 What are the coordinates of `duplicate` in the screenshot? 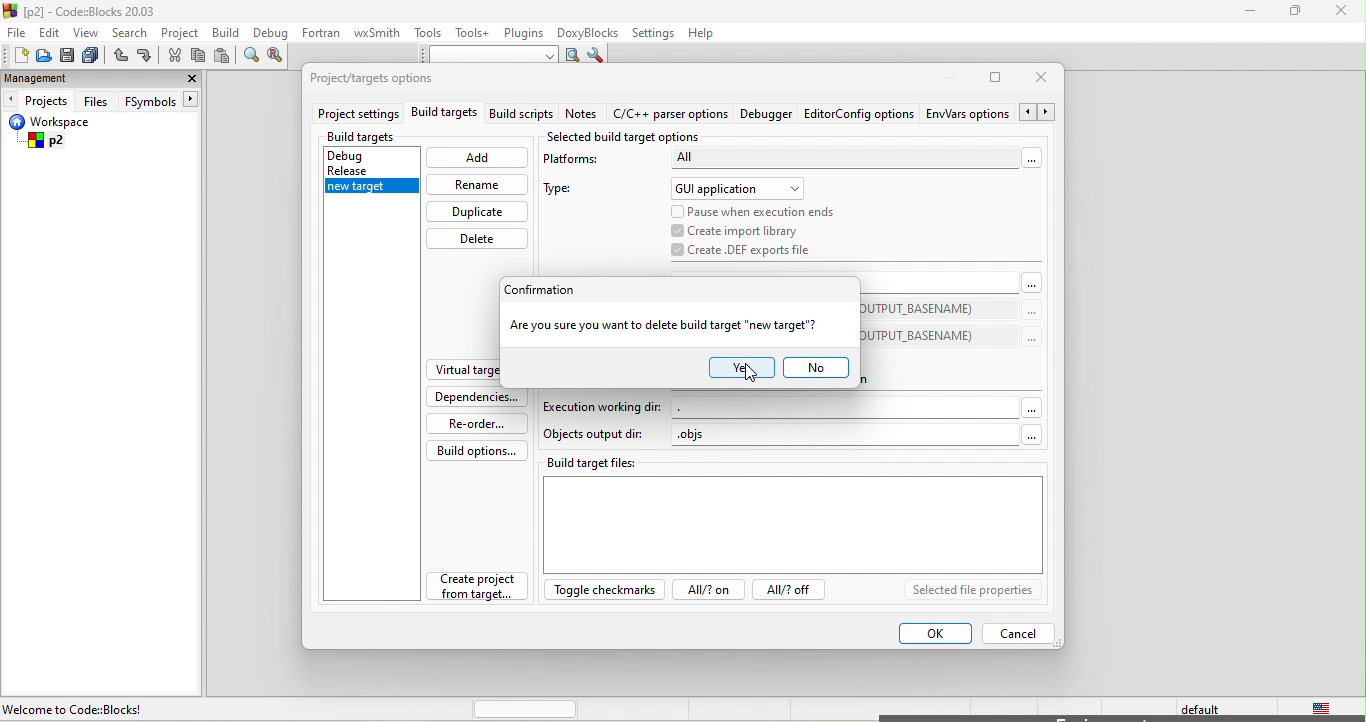 It's located at (476, 212).